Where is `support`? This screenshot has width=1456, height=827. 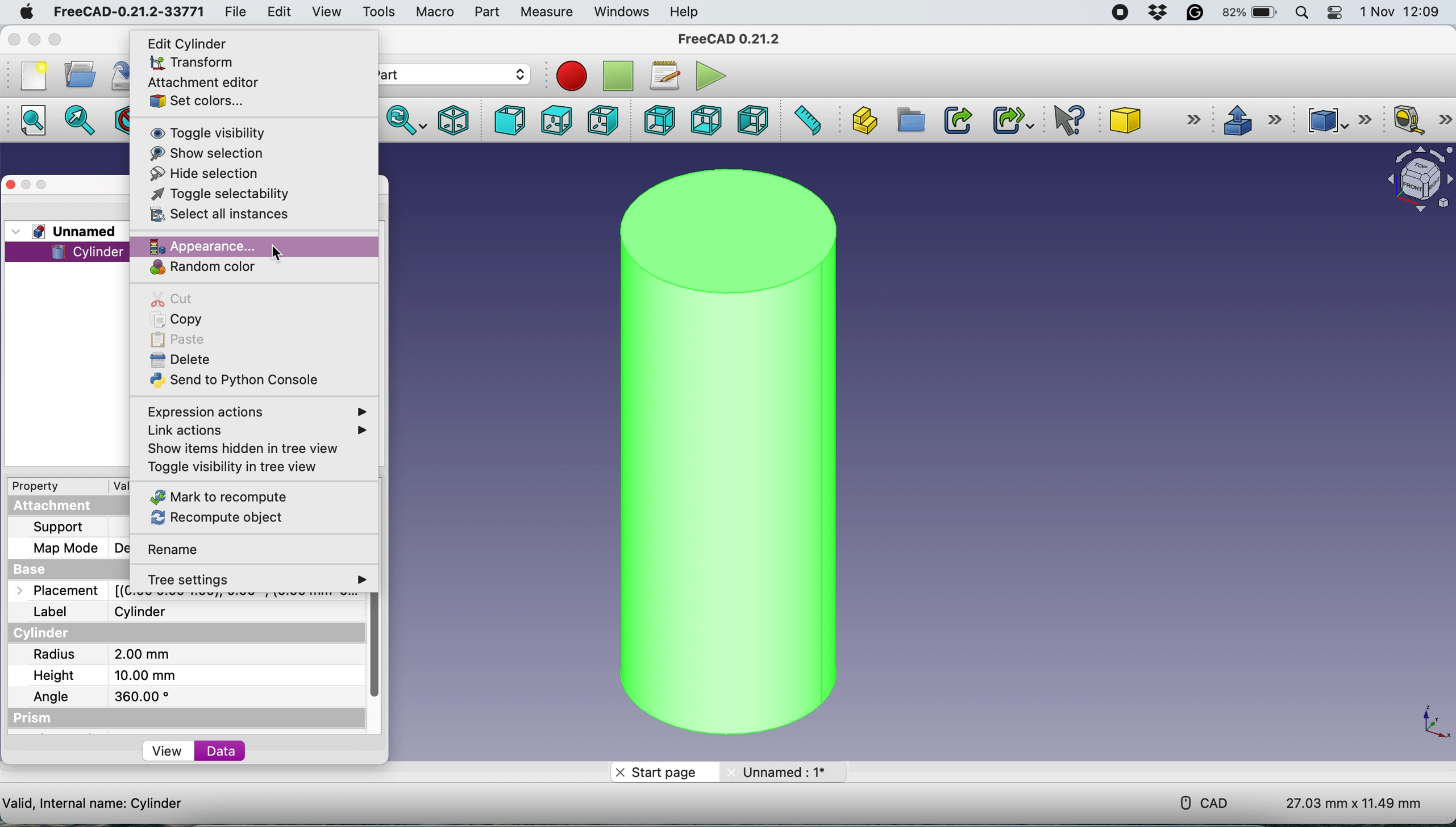
support is located at coordinates (56, 527).